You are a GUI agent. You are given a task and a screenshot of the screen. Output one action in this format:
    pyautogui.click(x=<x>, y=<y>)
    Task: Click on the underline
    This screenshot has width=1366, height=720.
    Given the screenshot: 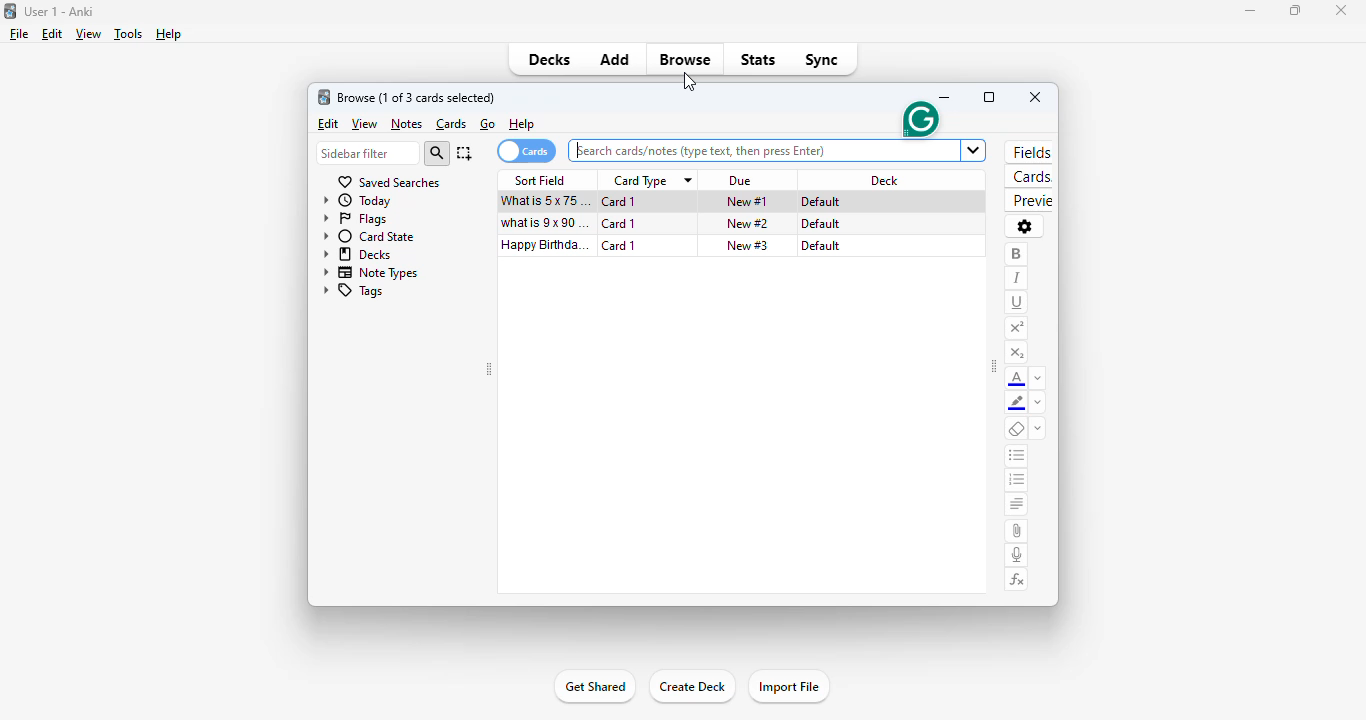 What is the action you would take?
    pyautogui.click(x=1017, y=303)
    